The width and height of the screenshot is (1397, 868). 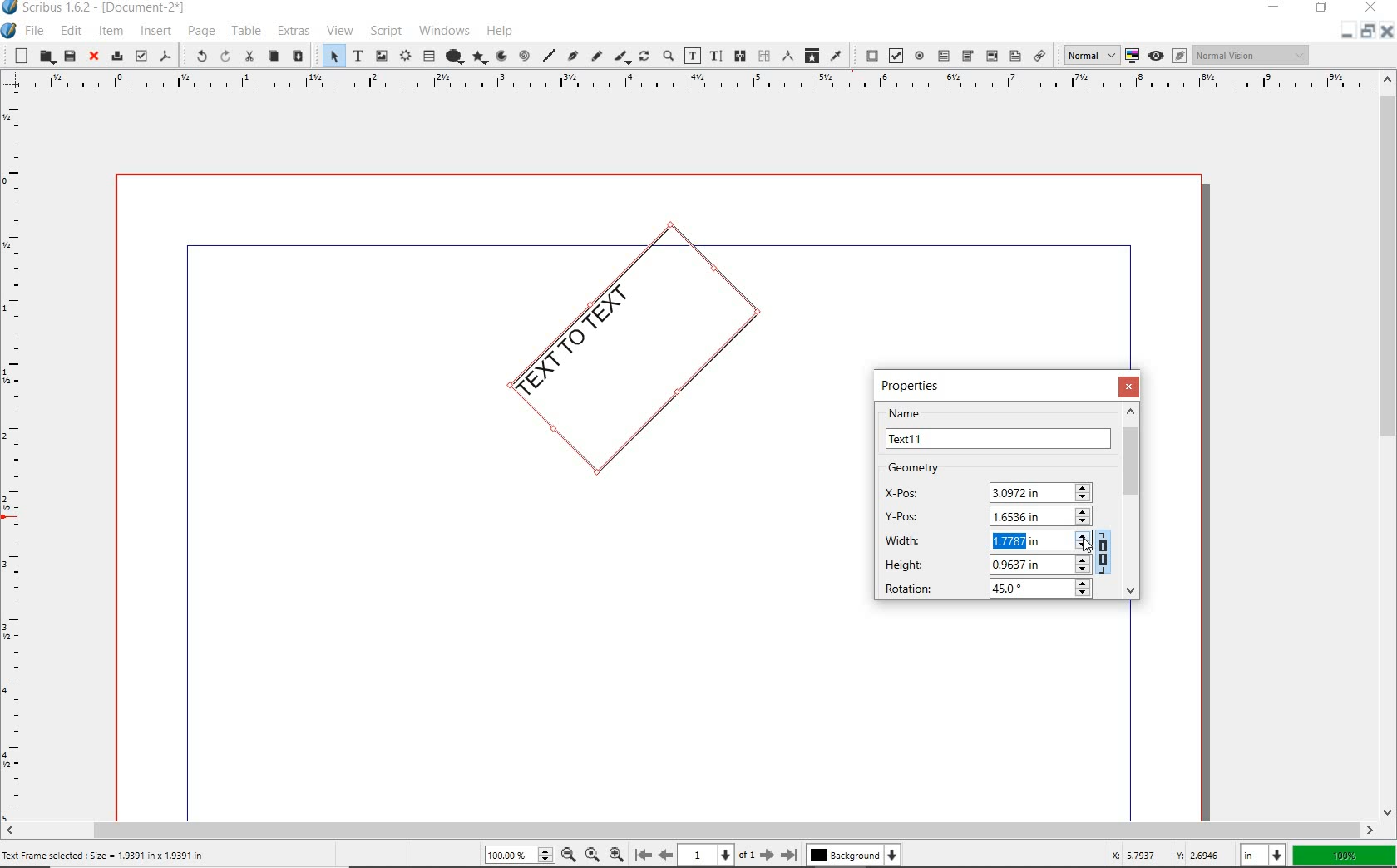 What do you see at coordinates (116, 57) in the screenshot?
I see `print` at bounding box center [116, 57].